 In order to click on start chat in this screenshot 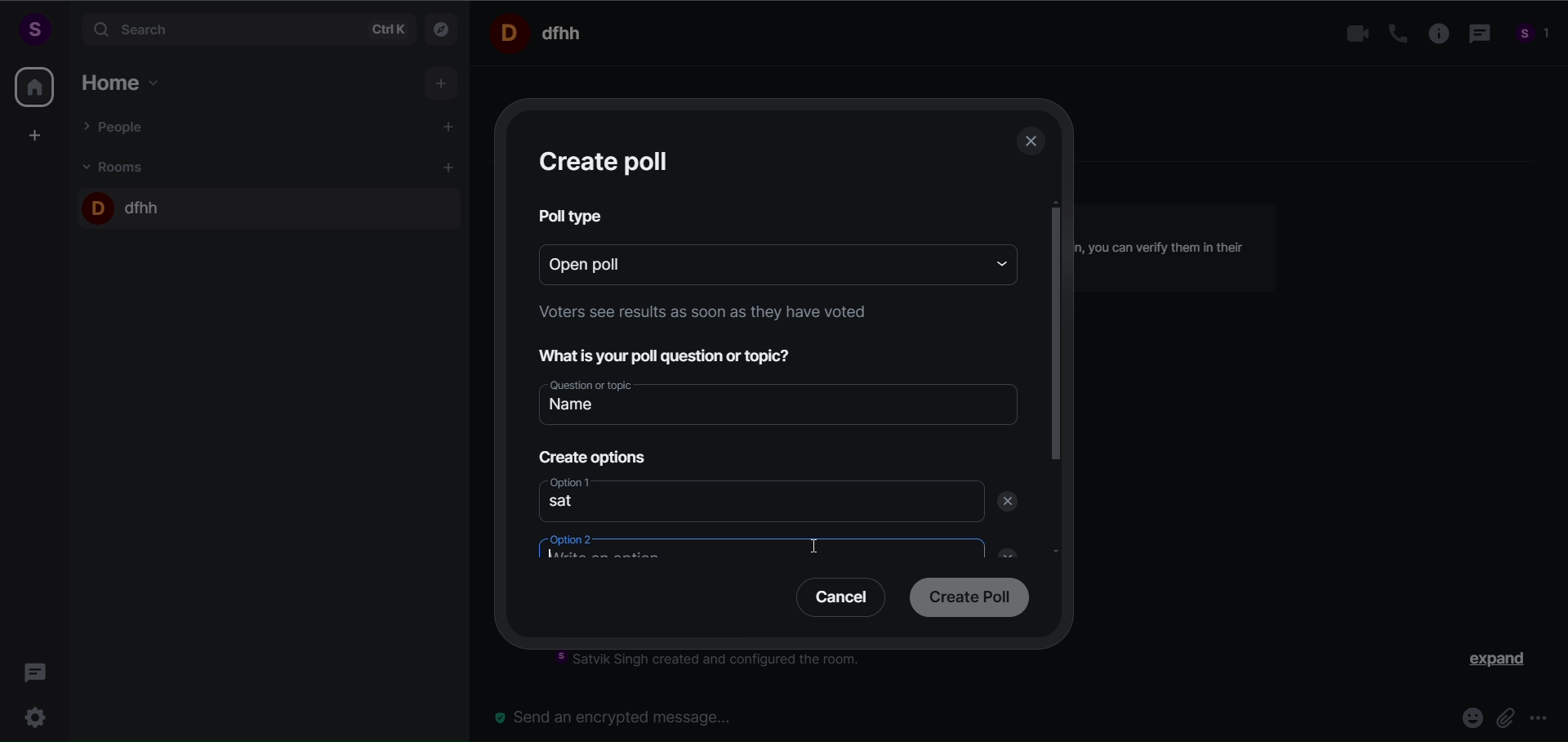, I will do `click(450, 128)`.